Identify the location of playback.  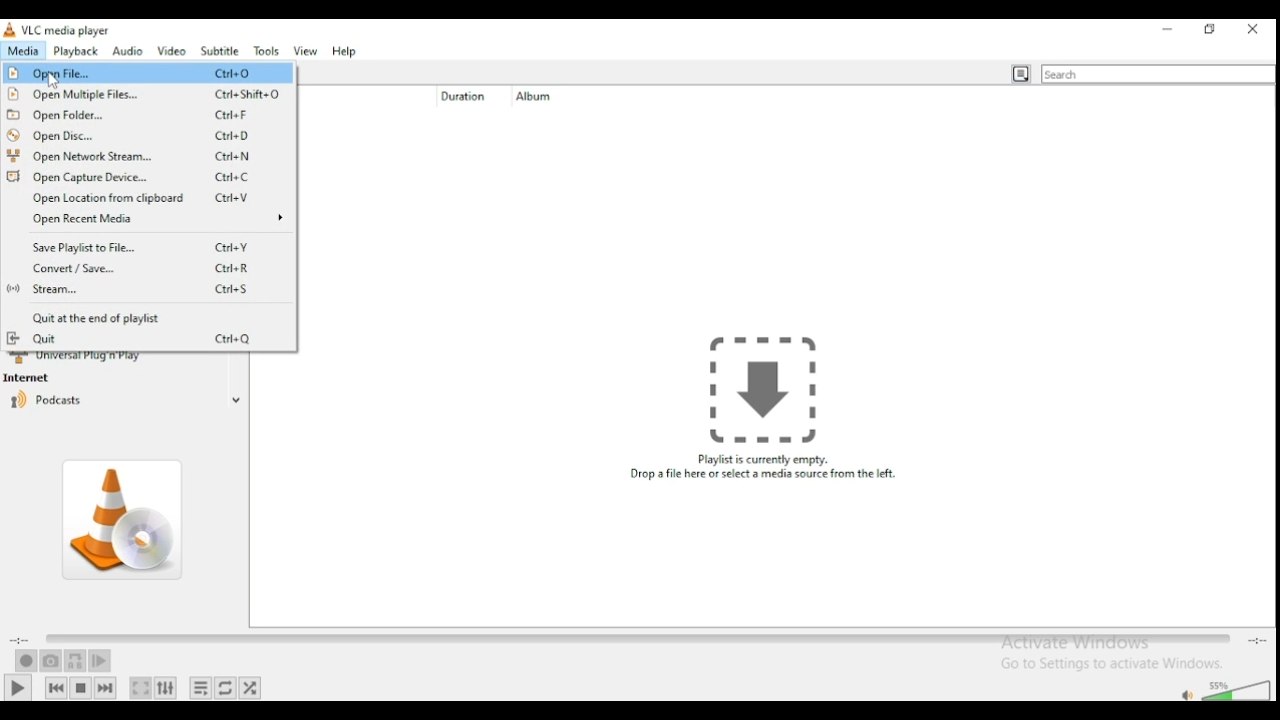
(74, 50).